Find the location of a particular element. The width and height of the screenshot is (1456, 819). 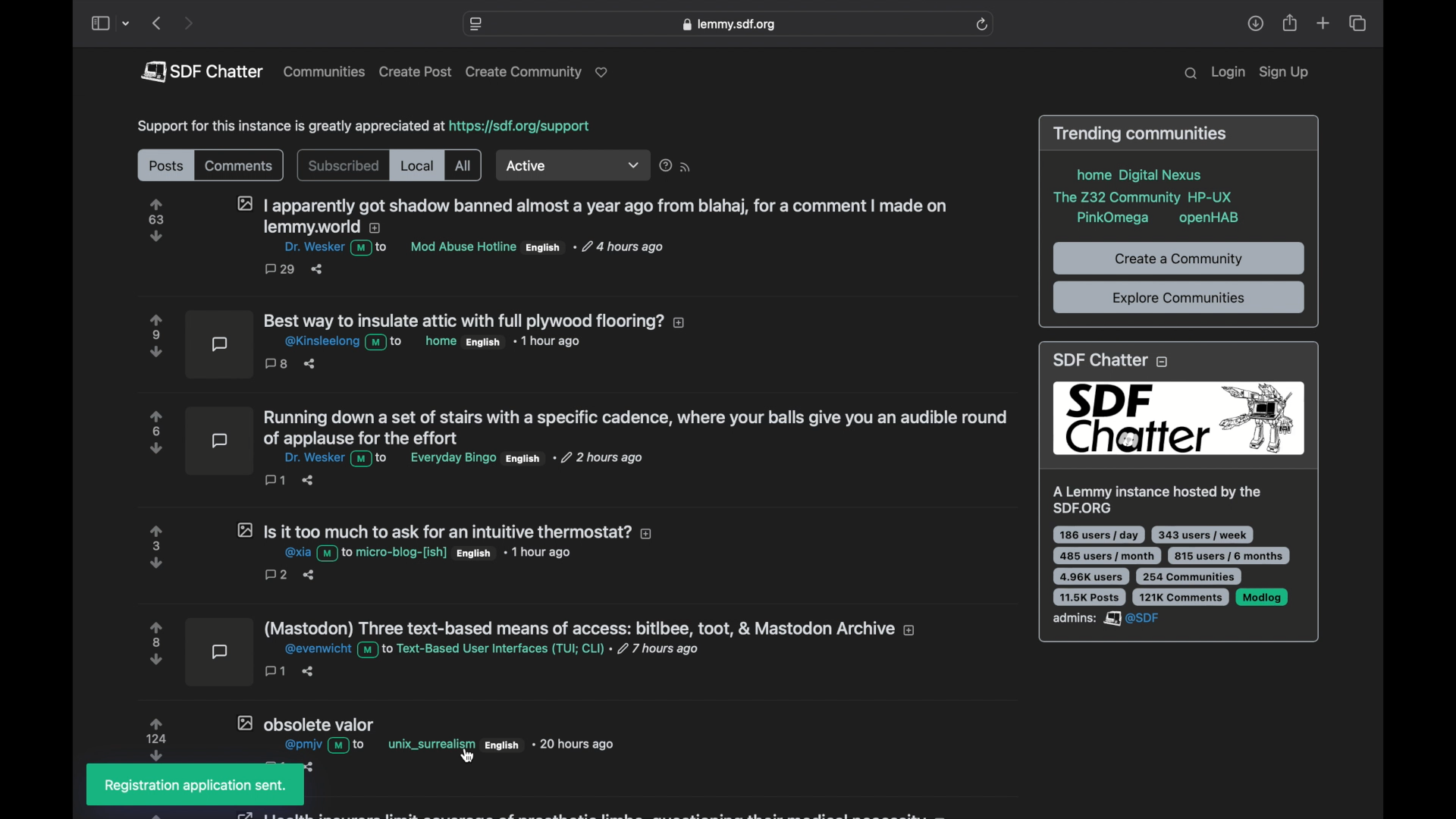

post is located at coordinates (425, 347).